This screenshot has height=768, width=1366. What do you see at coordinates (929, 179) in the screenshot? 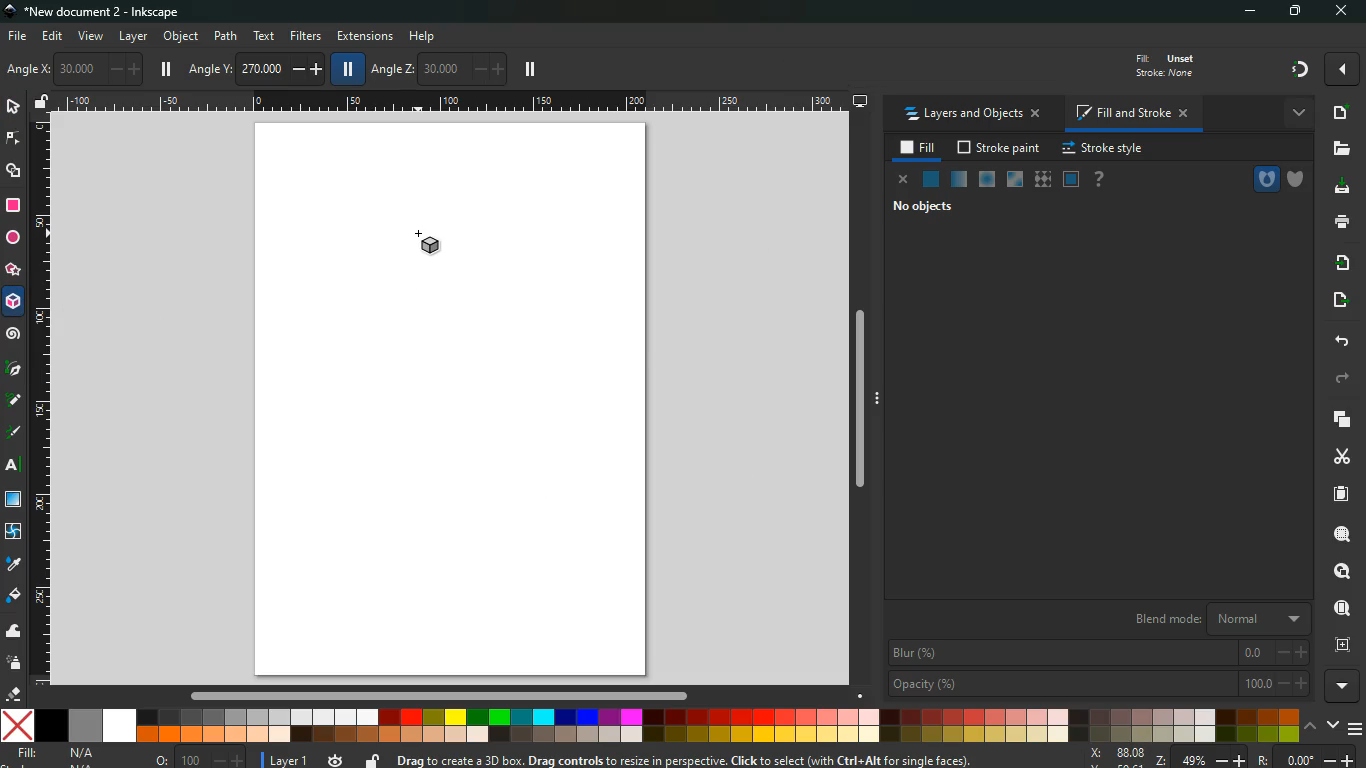
I see `normal` at bounding box center [929, 179].